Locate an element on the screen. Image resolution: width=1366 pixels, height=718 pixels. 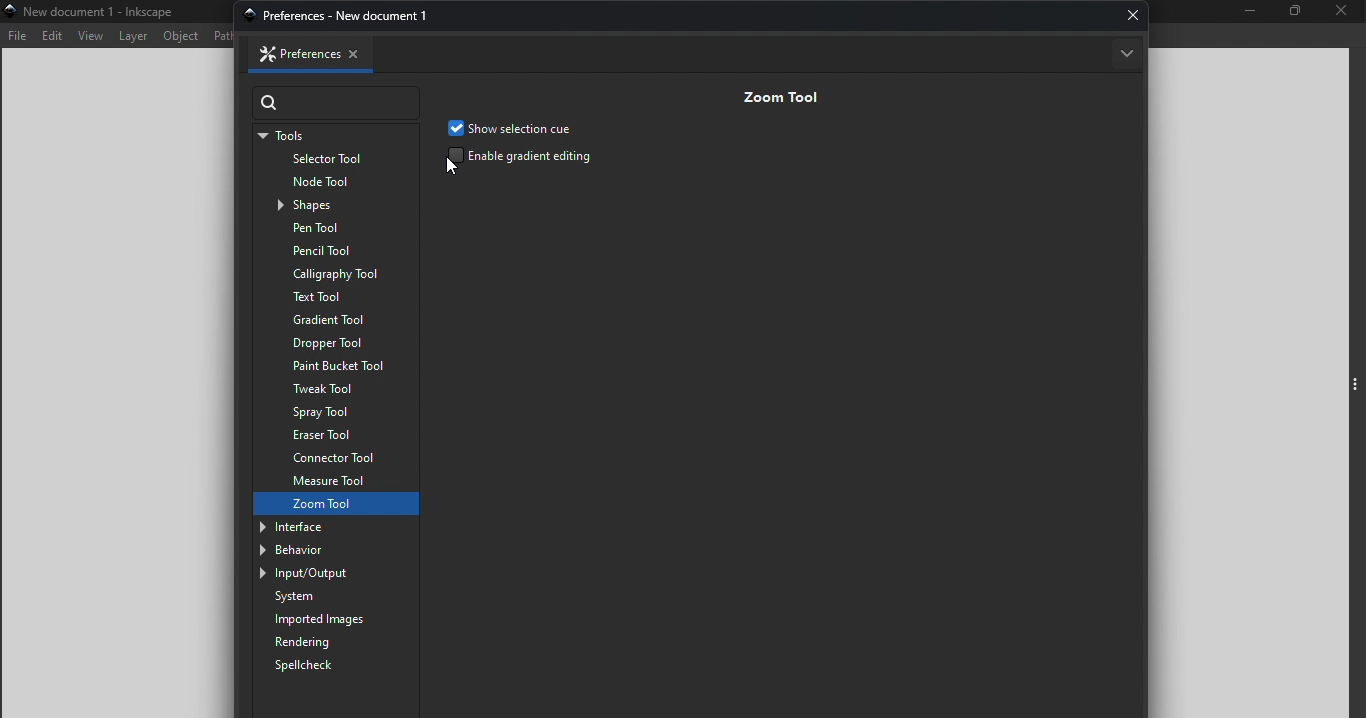
Node tool is located at coordinates (315, 183).